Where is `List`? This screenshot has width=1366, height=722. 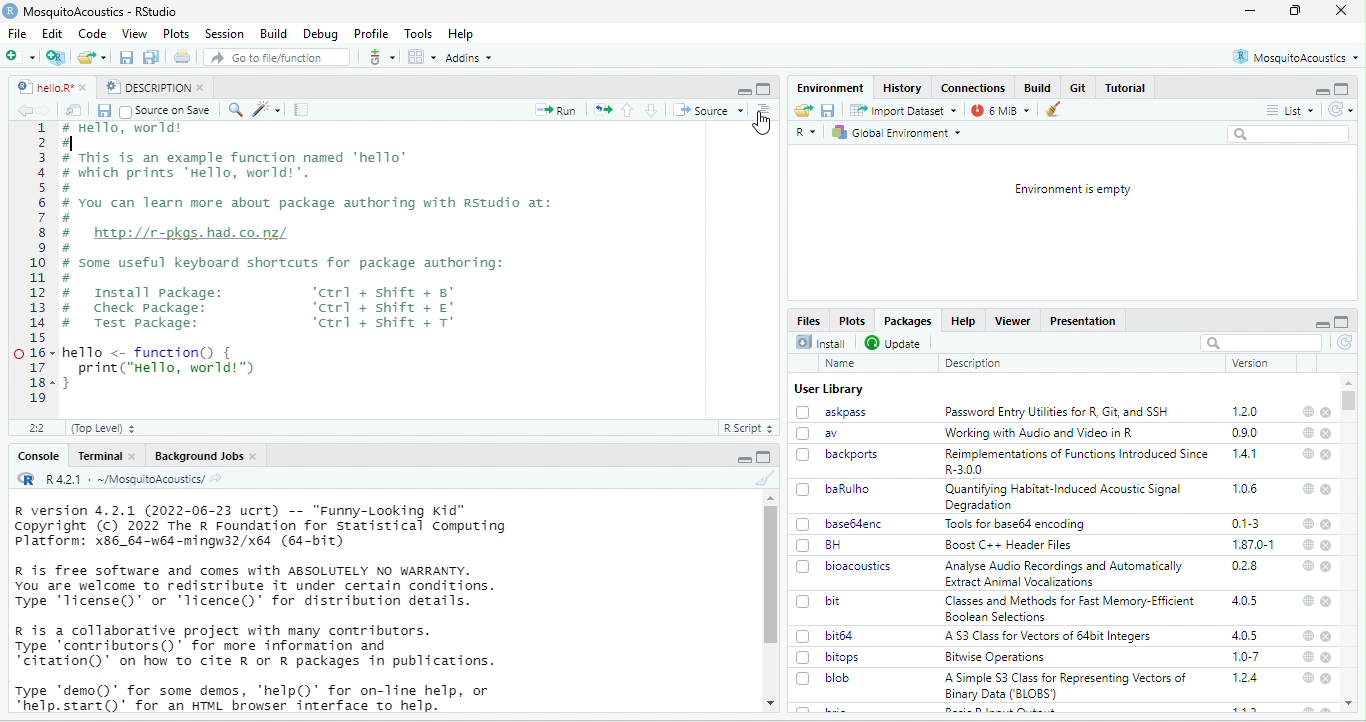
List is located at coordinates (1291, 109).